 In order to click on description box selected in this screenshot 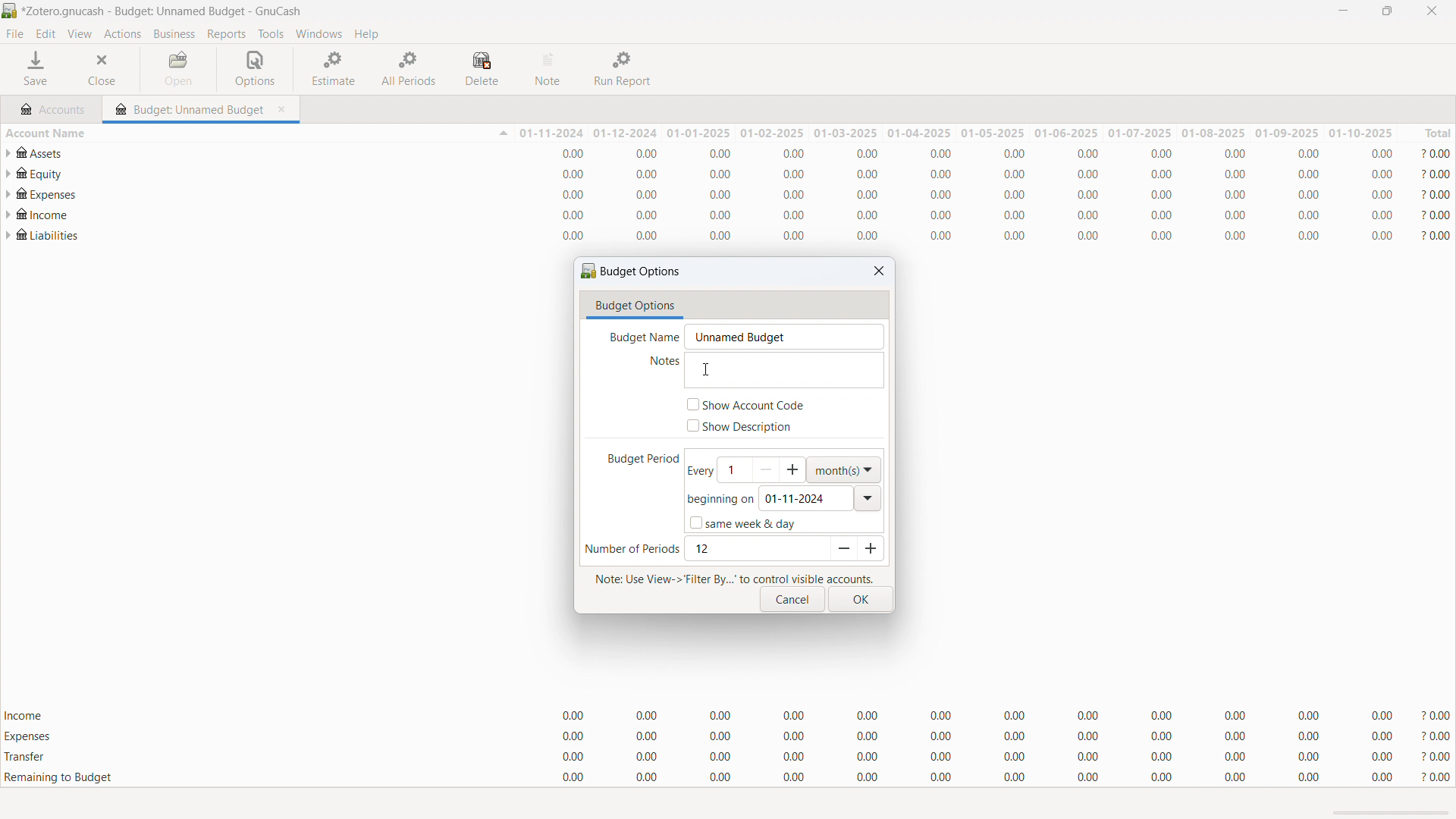, I will do `click(783, 372)`.